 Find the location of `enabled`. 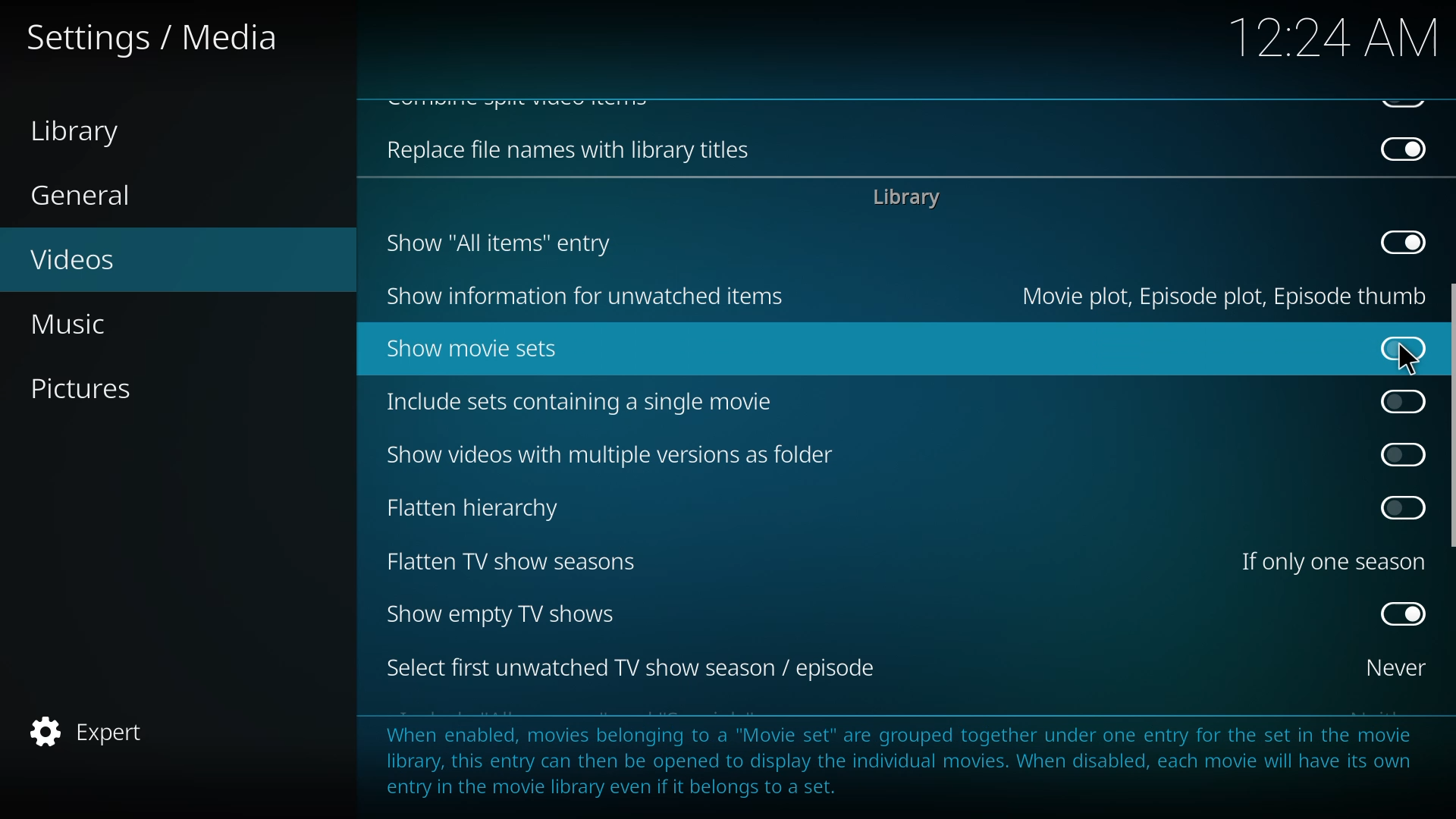

enabled is located at coordinates (1400, 613).